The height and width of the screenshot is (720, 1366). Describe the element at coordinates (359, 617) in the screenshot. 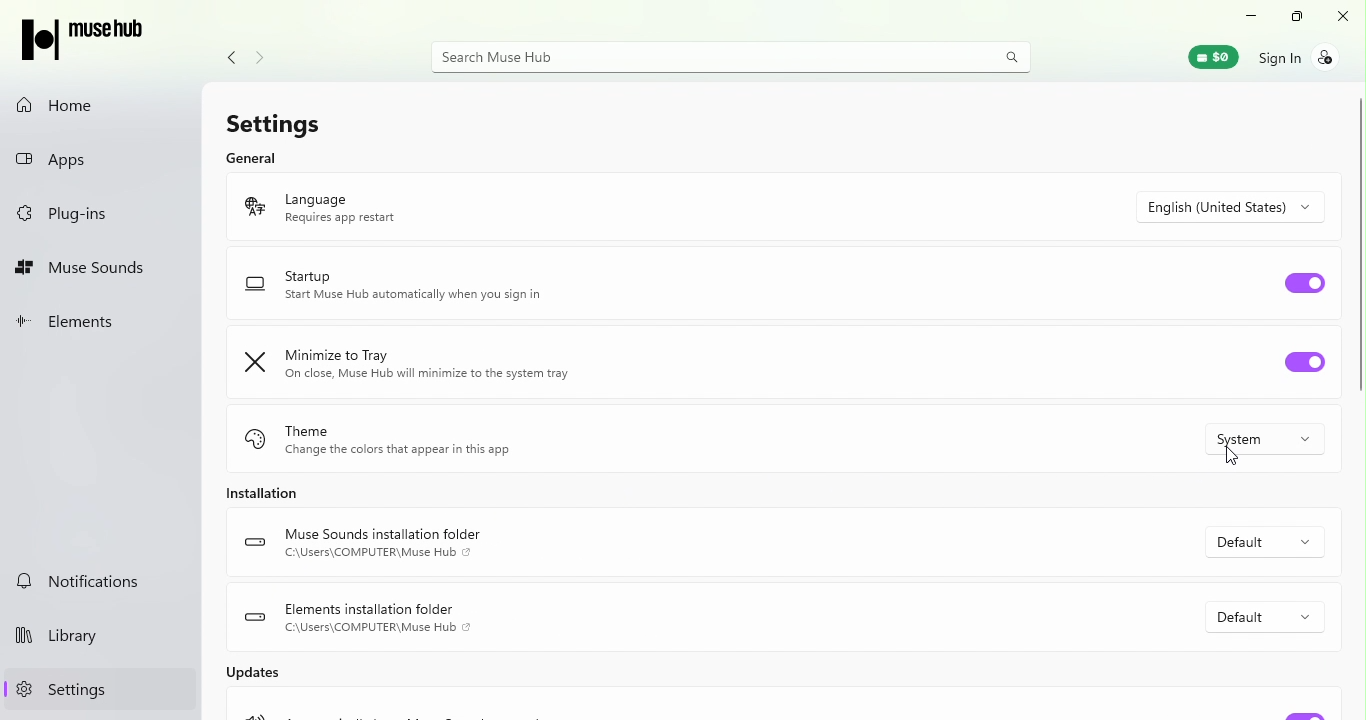

I see `Elements installation folder` at that location.